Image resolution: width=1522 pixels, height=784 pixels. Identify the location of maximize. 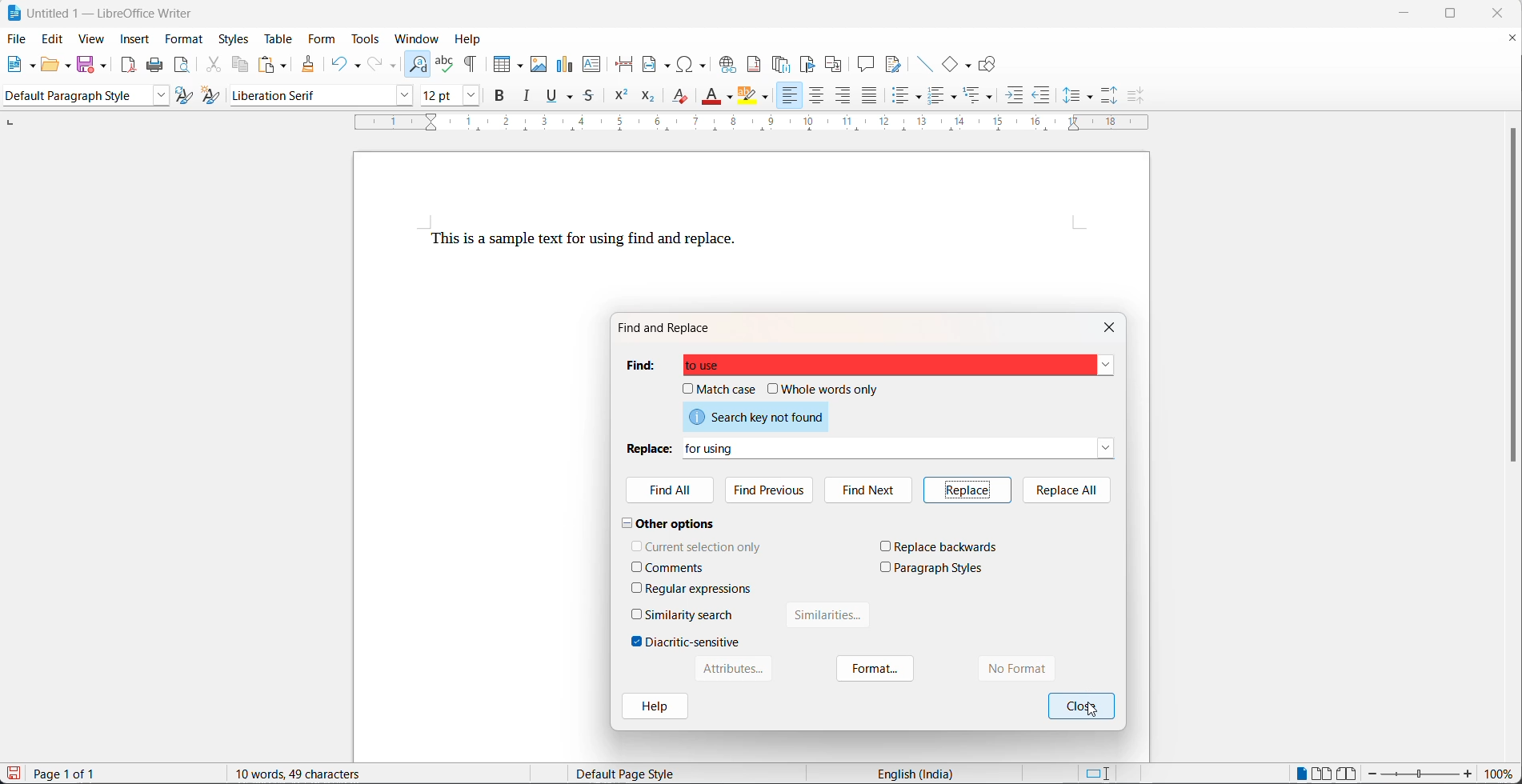
(1462, 15).